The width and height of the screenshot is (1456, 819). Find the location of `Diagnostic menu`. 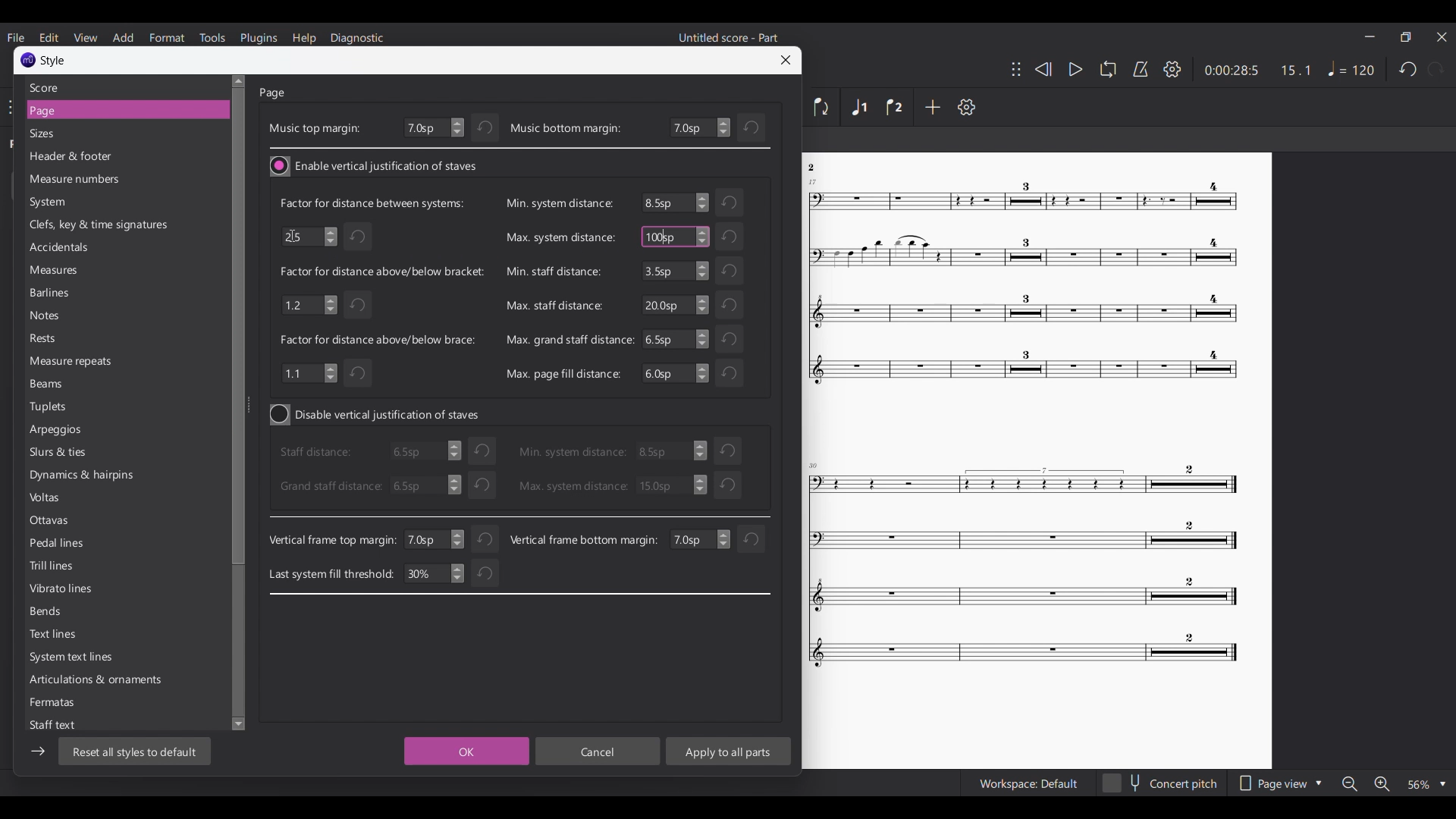

Diagnostic menu is located at coordinates (357, 39).